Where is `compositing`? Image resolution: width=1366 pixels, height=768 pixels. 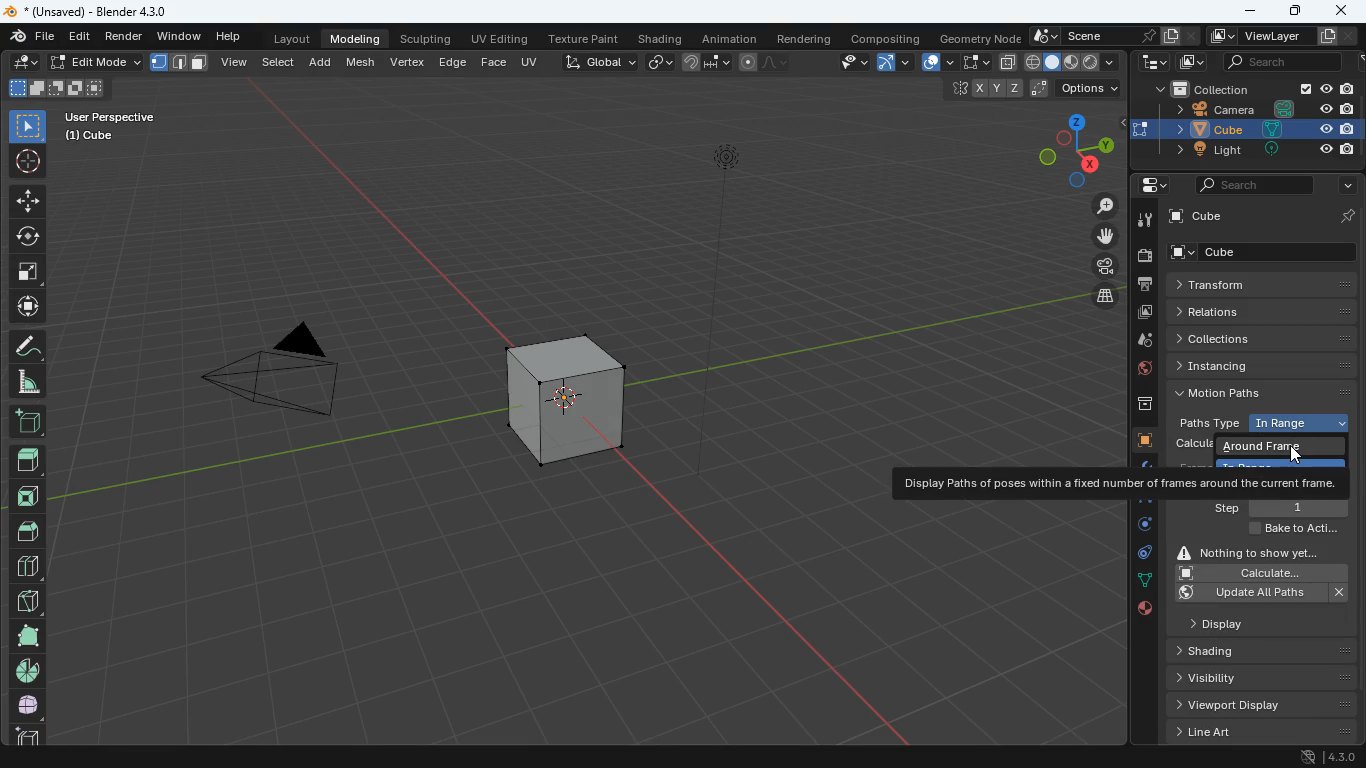
compositing is located at coordinates (888, 38).